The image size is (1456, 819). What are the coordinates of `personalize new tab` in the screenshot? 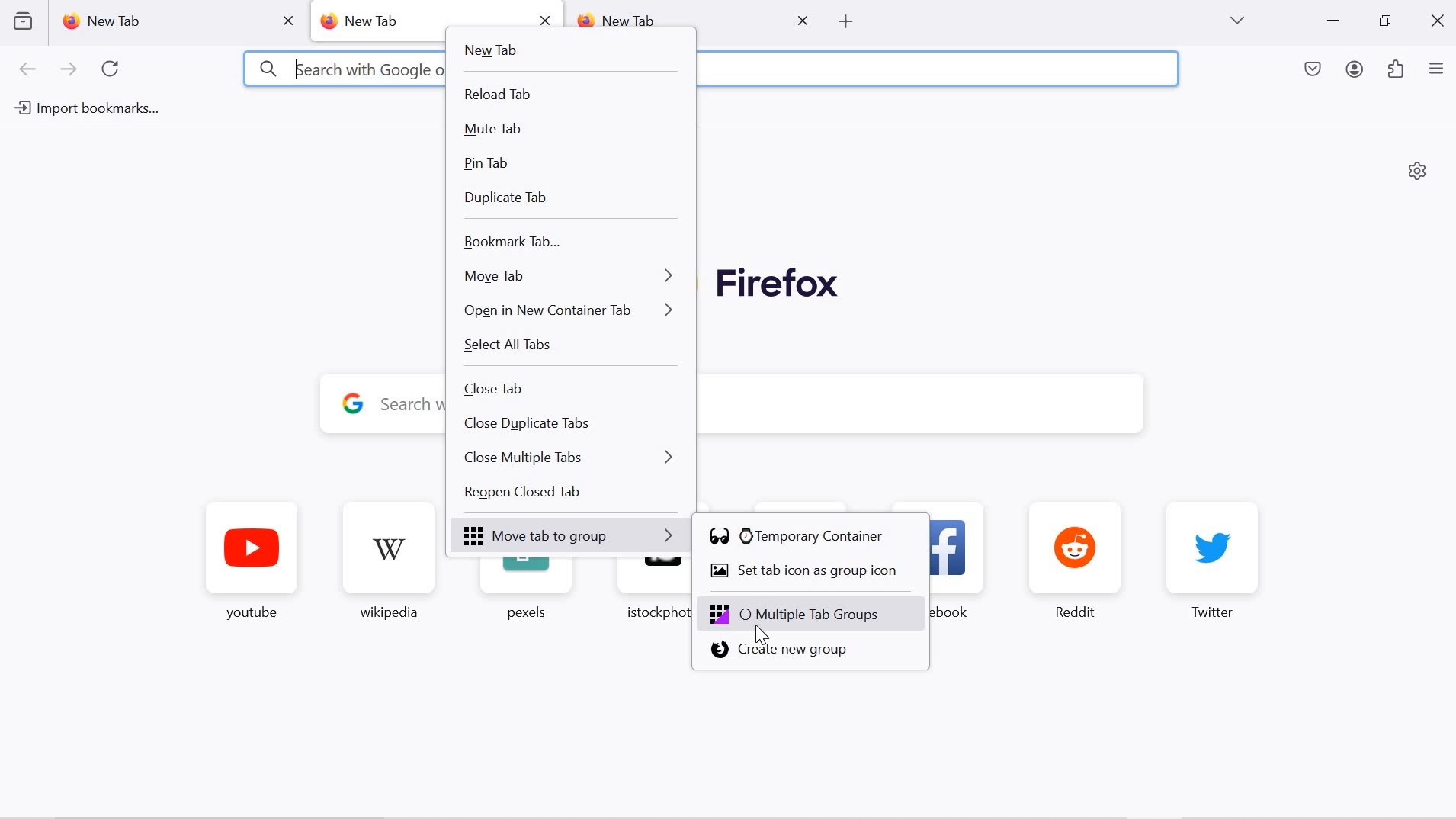 It's located at (1418, 170).